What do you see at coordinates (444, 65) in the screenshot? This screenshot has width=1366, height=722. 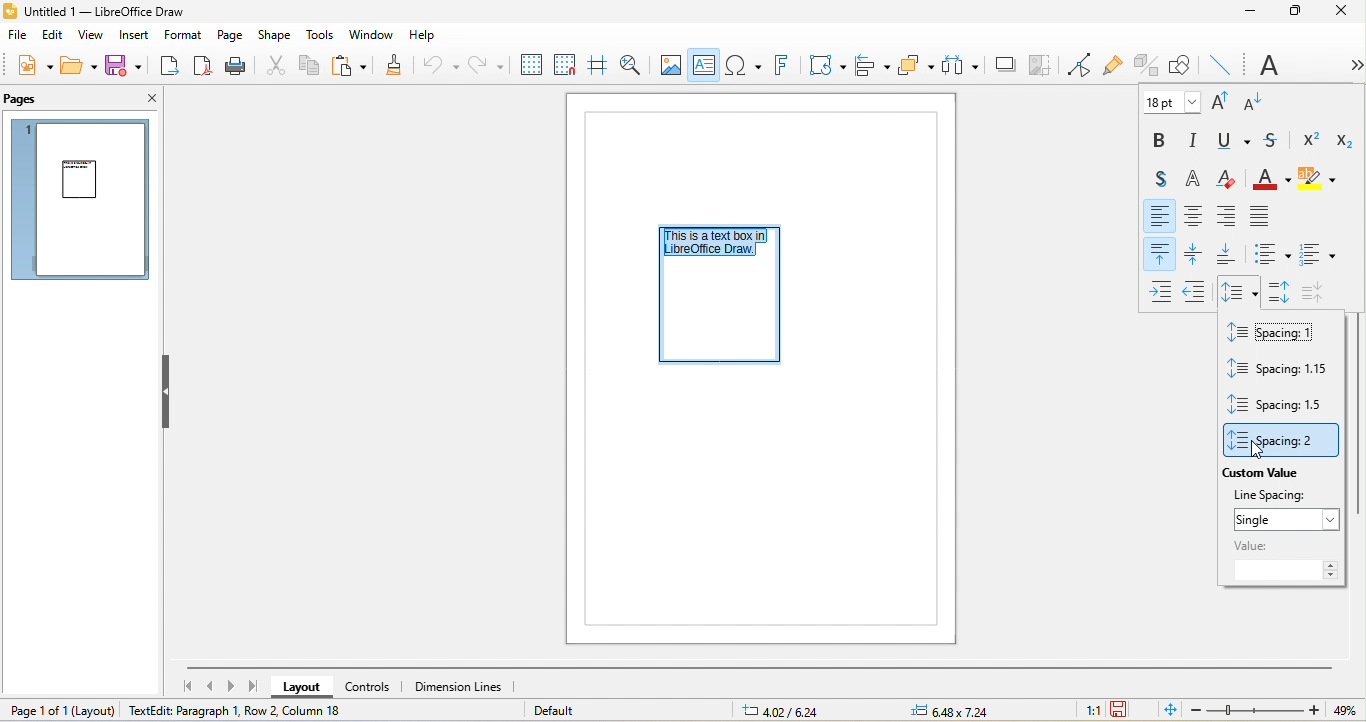 I see `undo` at bounding box center [444, 65].